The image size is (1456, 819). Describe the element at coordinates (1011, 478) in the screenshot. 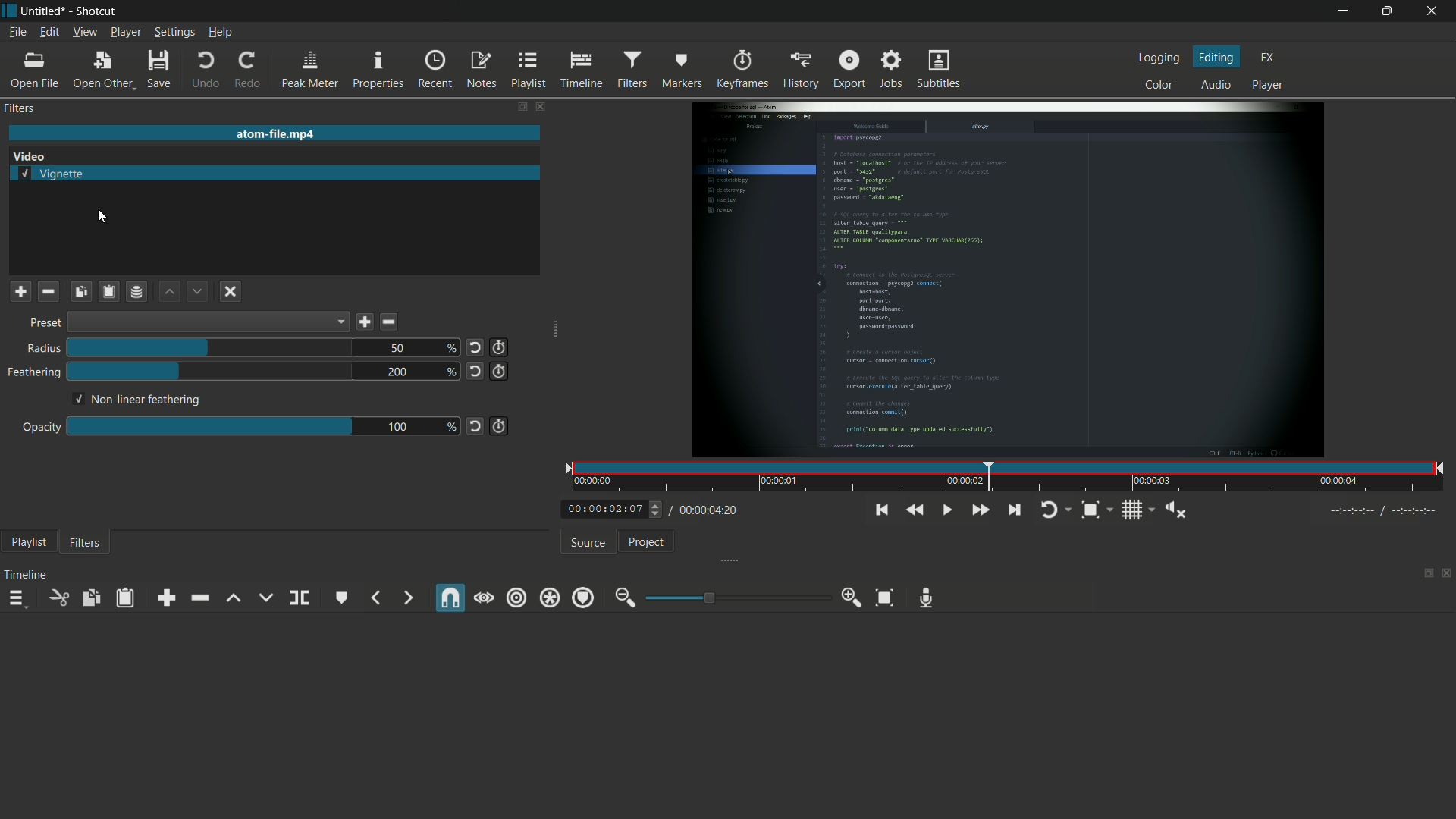

I see `time` at that location.